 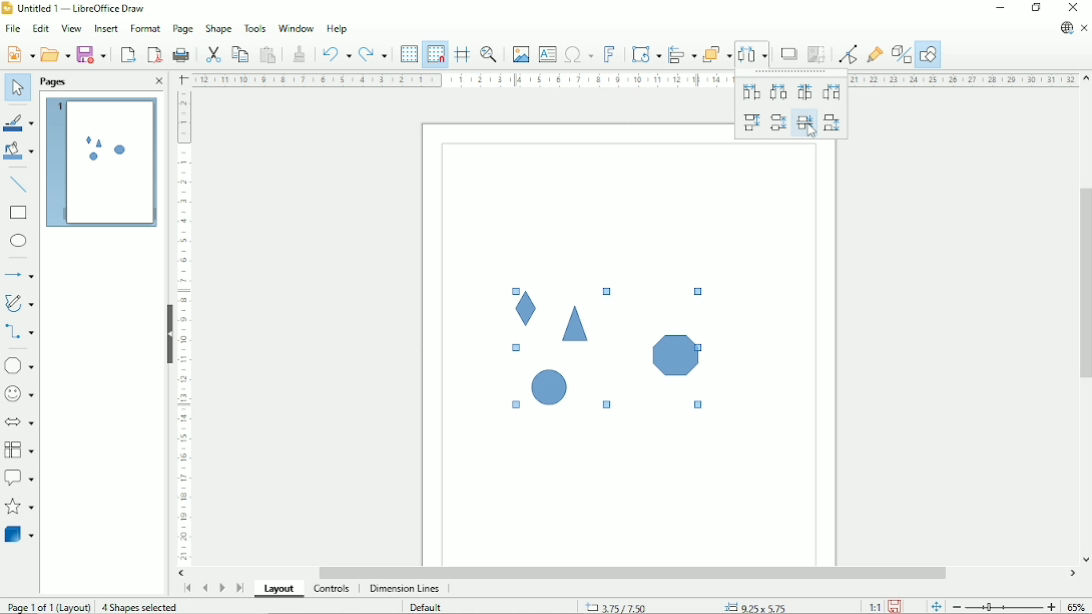 I want to click on Horizontally left, so click(x=751, y=93).